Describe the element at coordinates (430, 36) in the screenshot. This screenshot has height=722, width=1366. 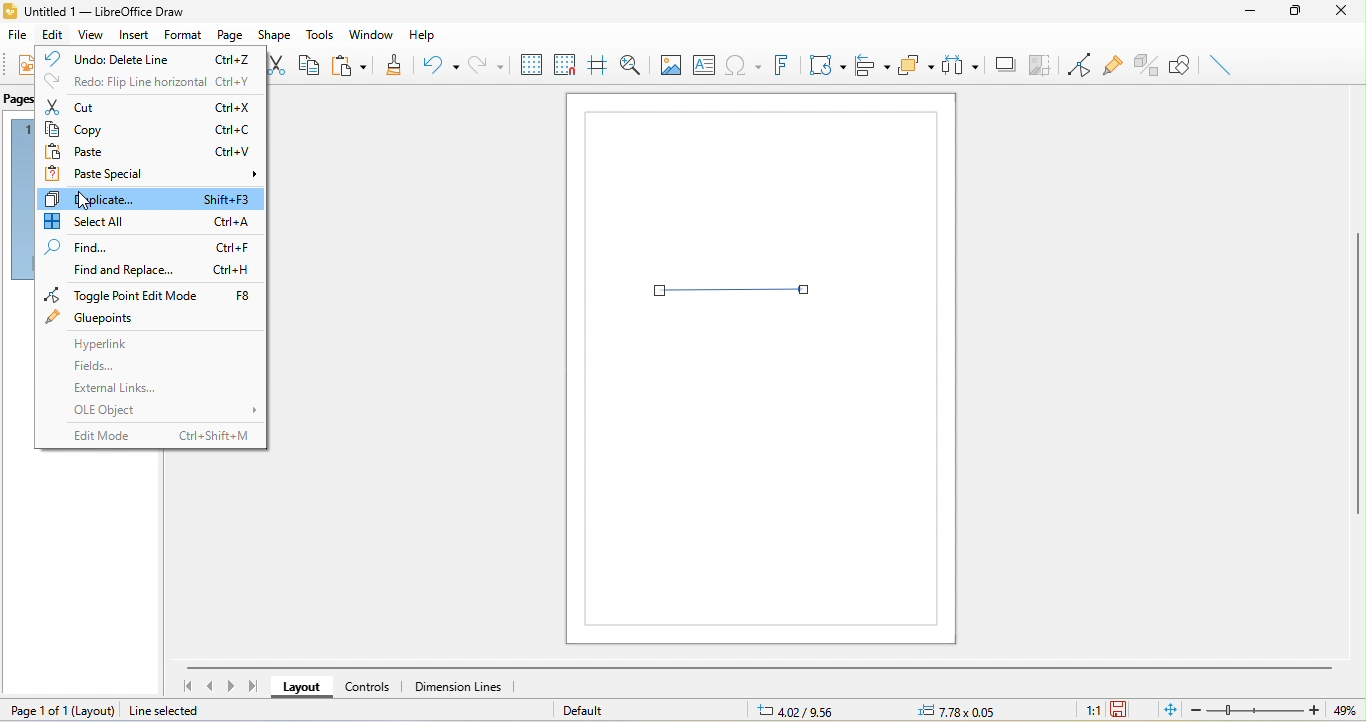
I see `help` at that location.